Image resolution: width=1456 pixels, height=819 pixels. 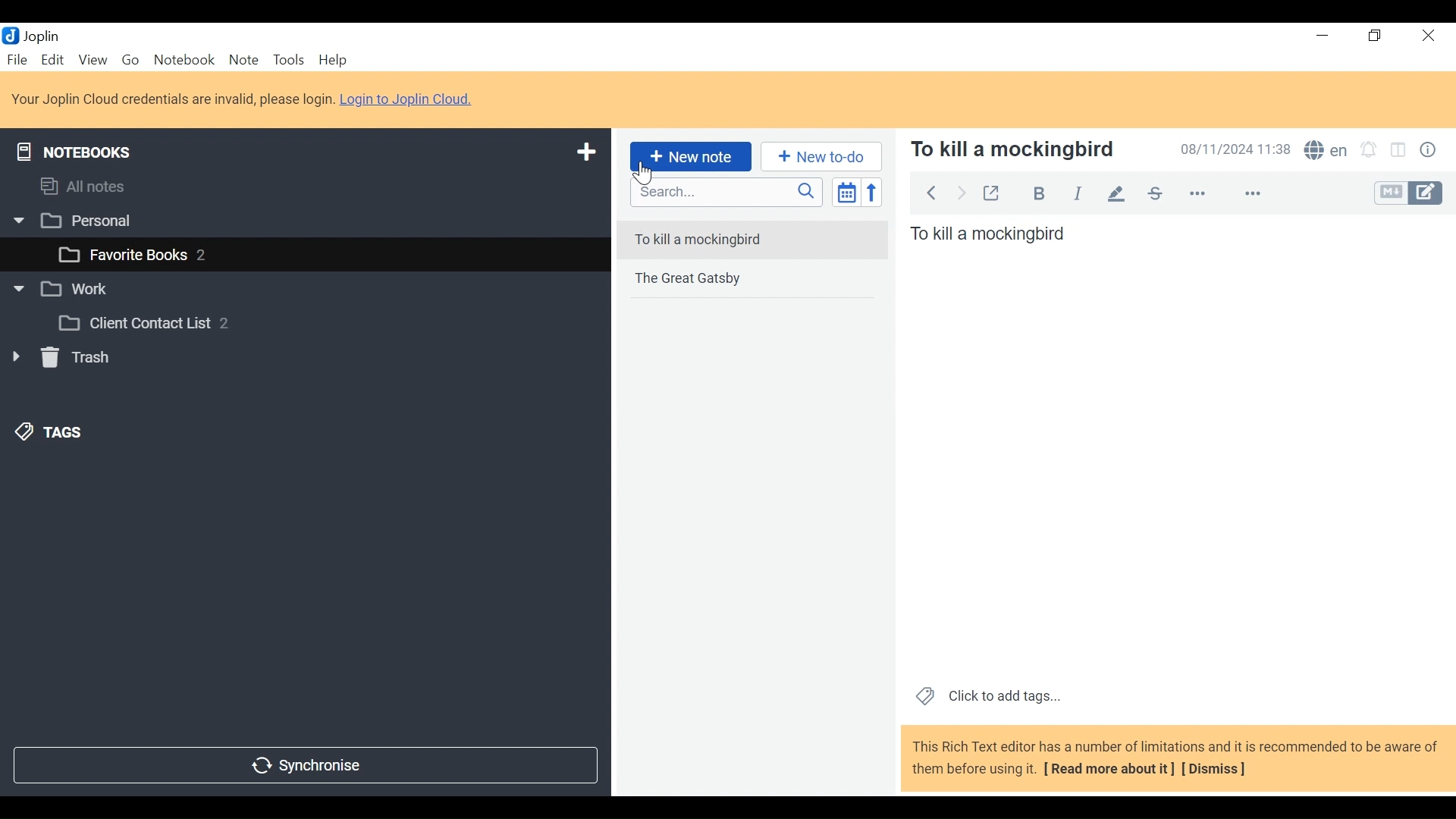 What do you see at coordinates (1077, 194) in the screenshot?
I see `Italics` at bounding box center [1077, 194].